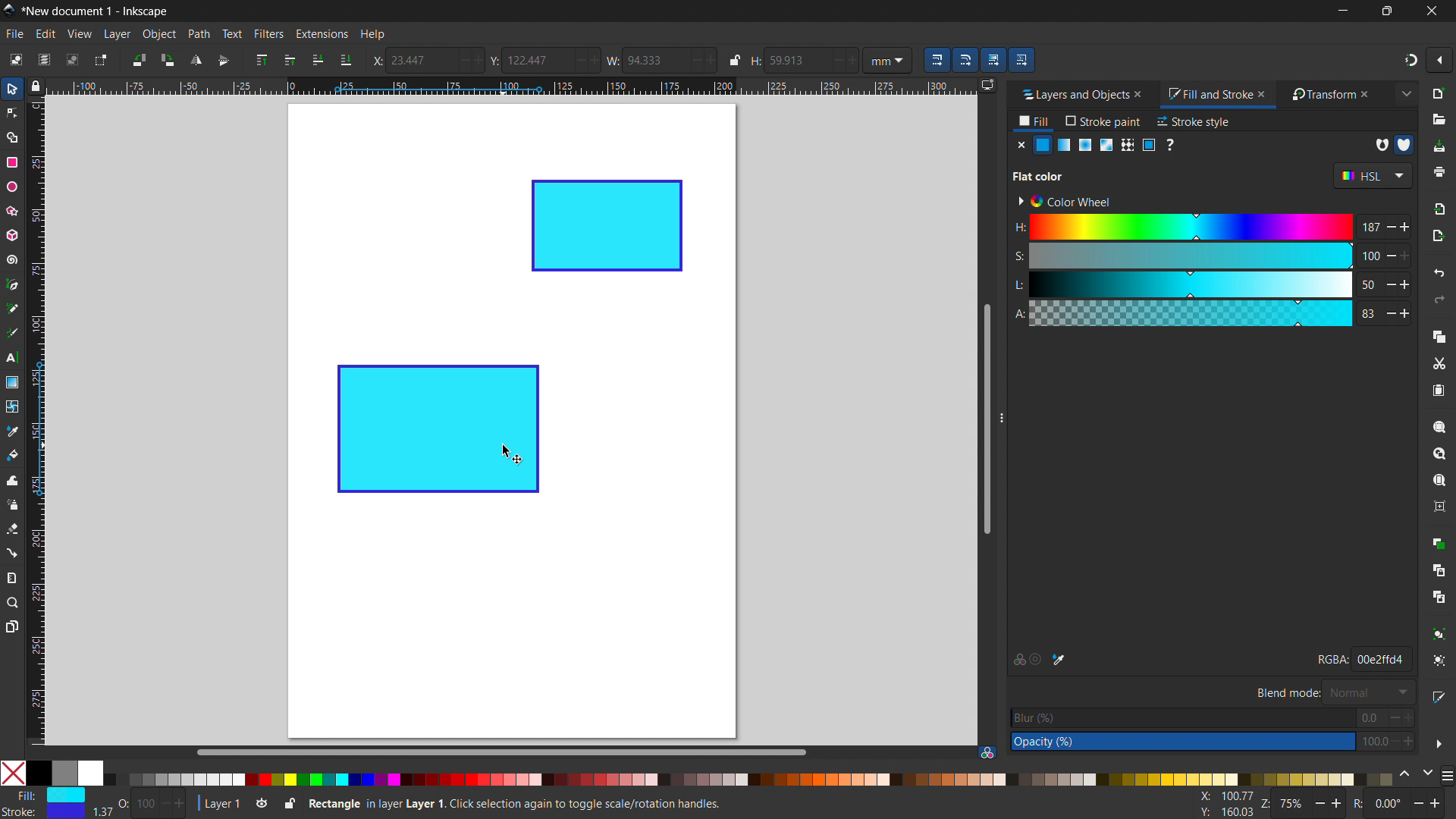 The height and width of the screenshot is (819, 1456). What do you see at coordinates (195, 60) in the screenshot?
I see `flip horizontal` at bounding box center [195, 60].